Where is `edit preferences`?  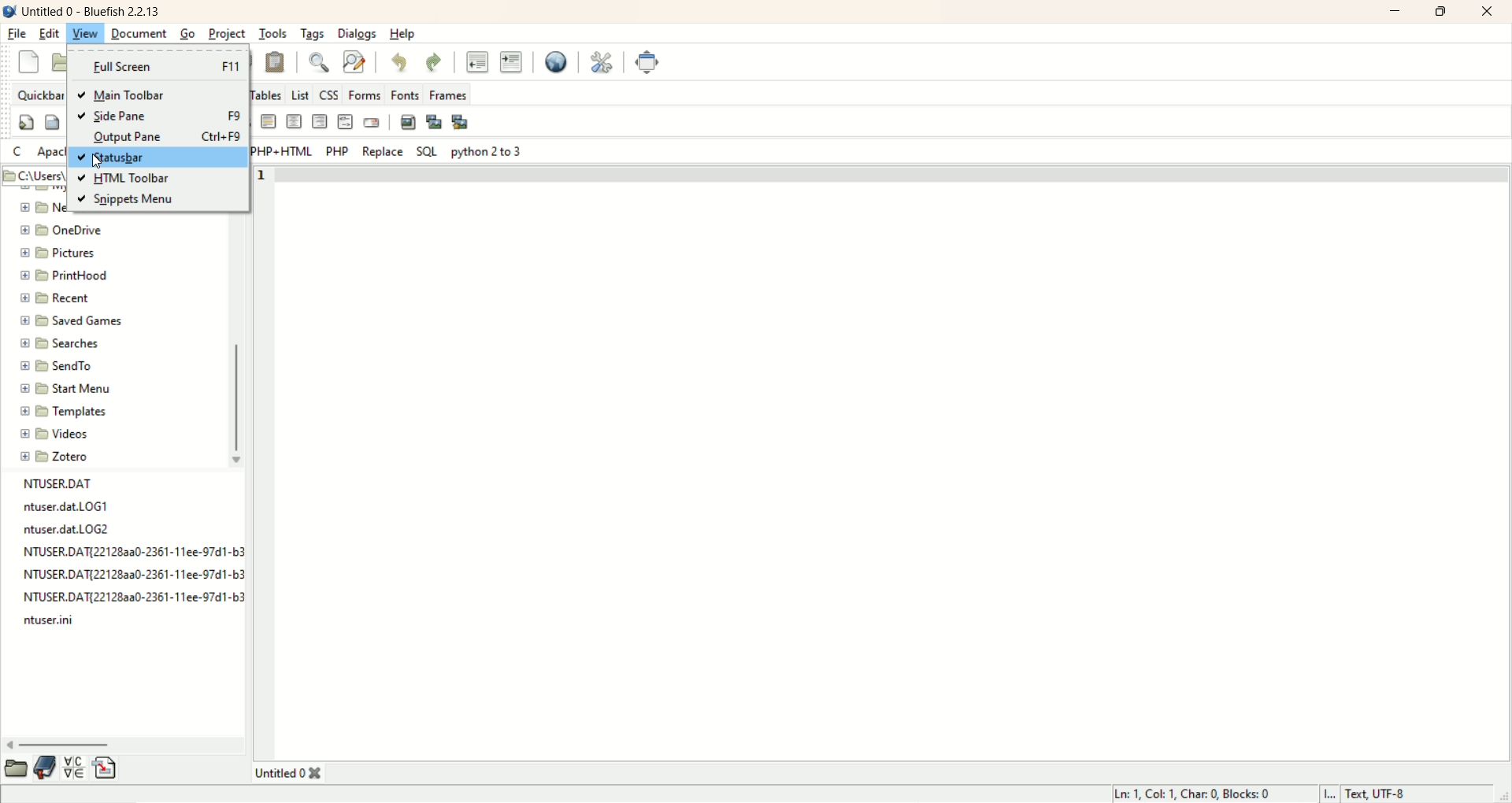 edit preferences is located at coordinates (602, 61).